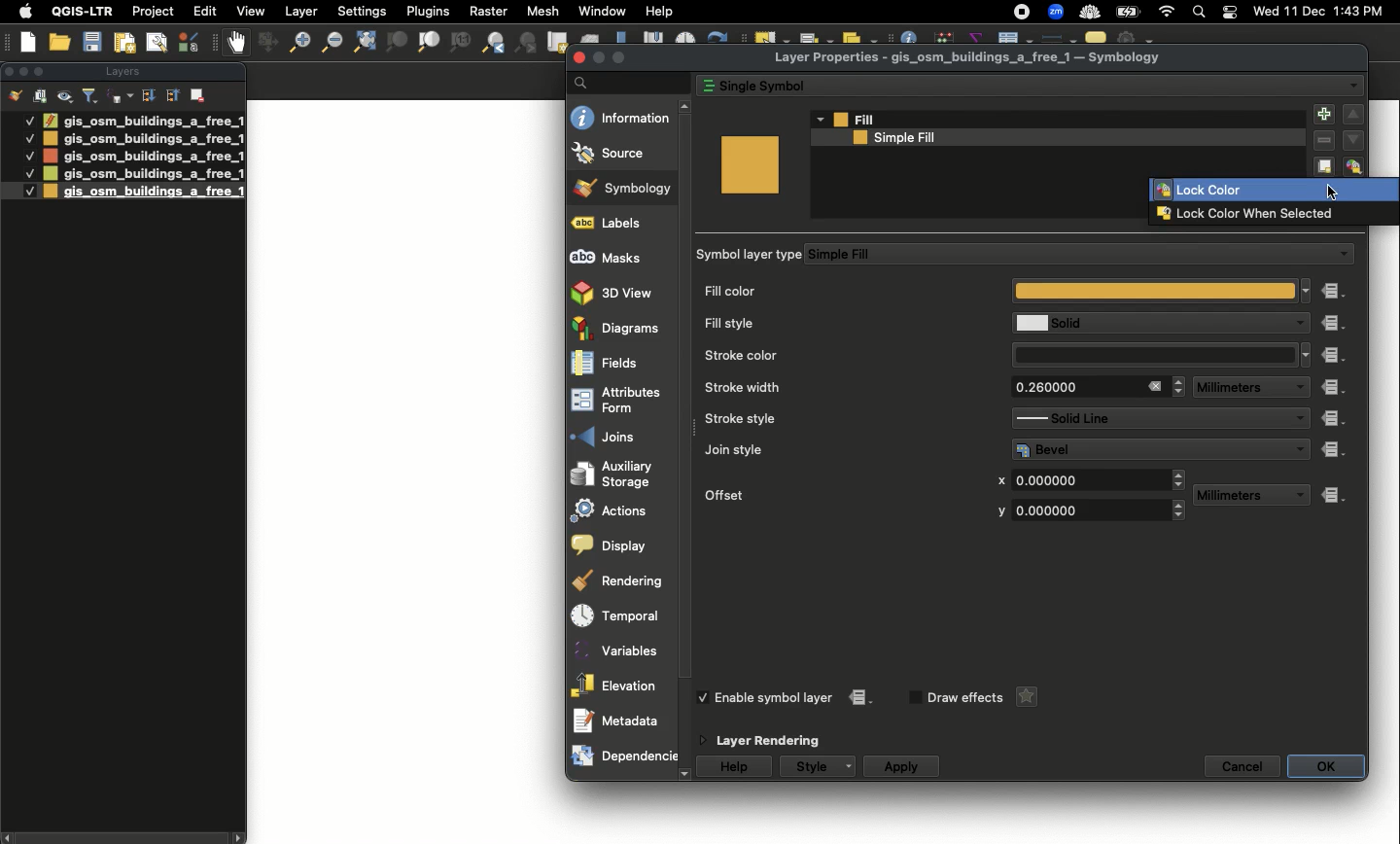 This screenshot has height=844, width=1400. What do you see at coordinates (618, 328) in the screenshot?
I see `Diagrams` at bounding box center [618, 328].